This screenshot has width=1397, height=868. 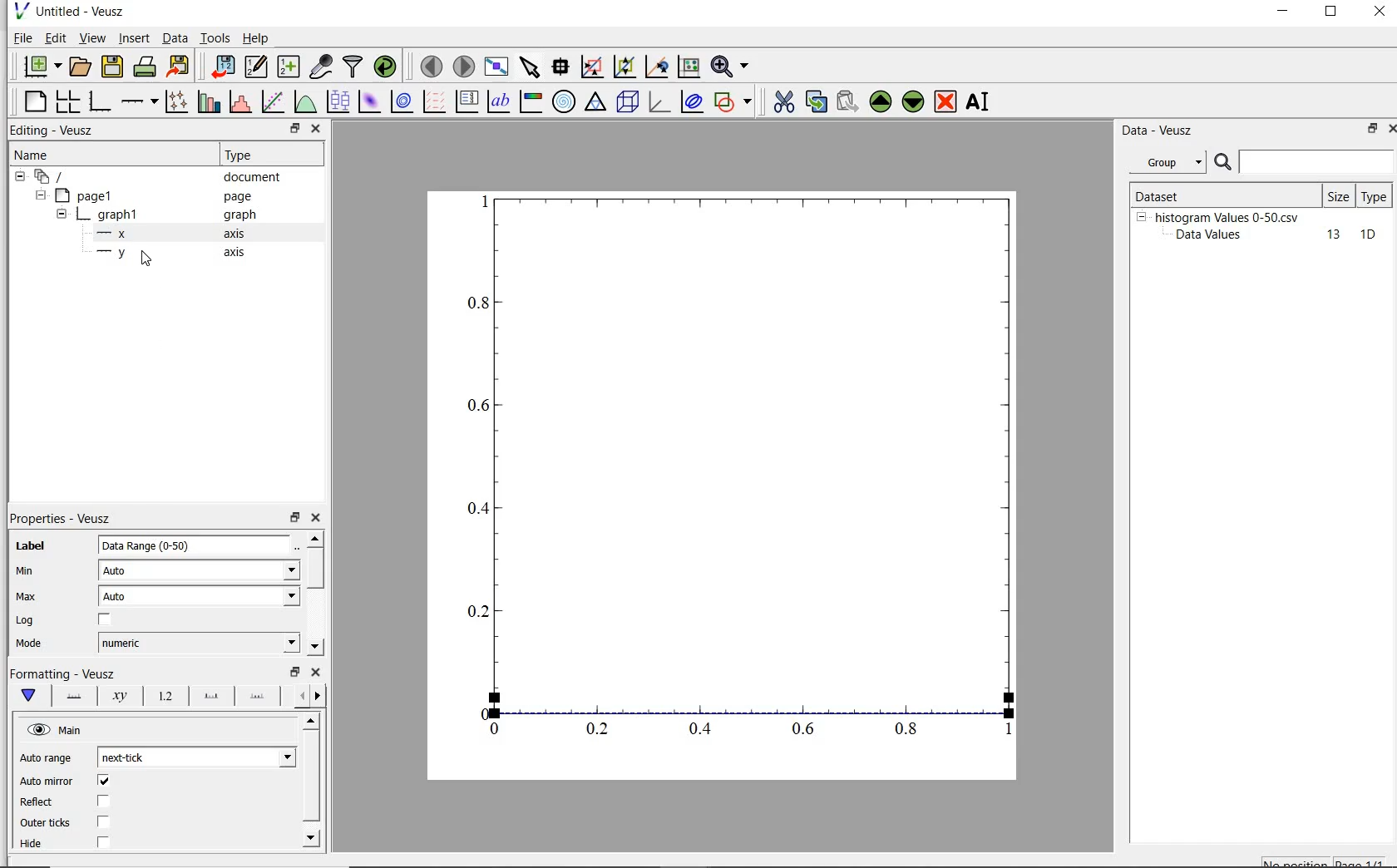 I want to click on Untitled - Veusz, so click(x=84, y=11).